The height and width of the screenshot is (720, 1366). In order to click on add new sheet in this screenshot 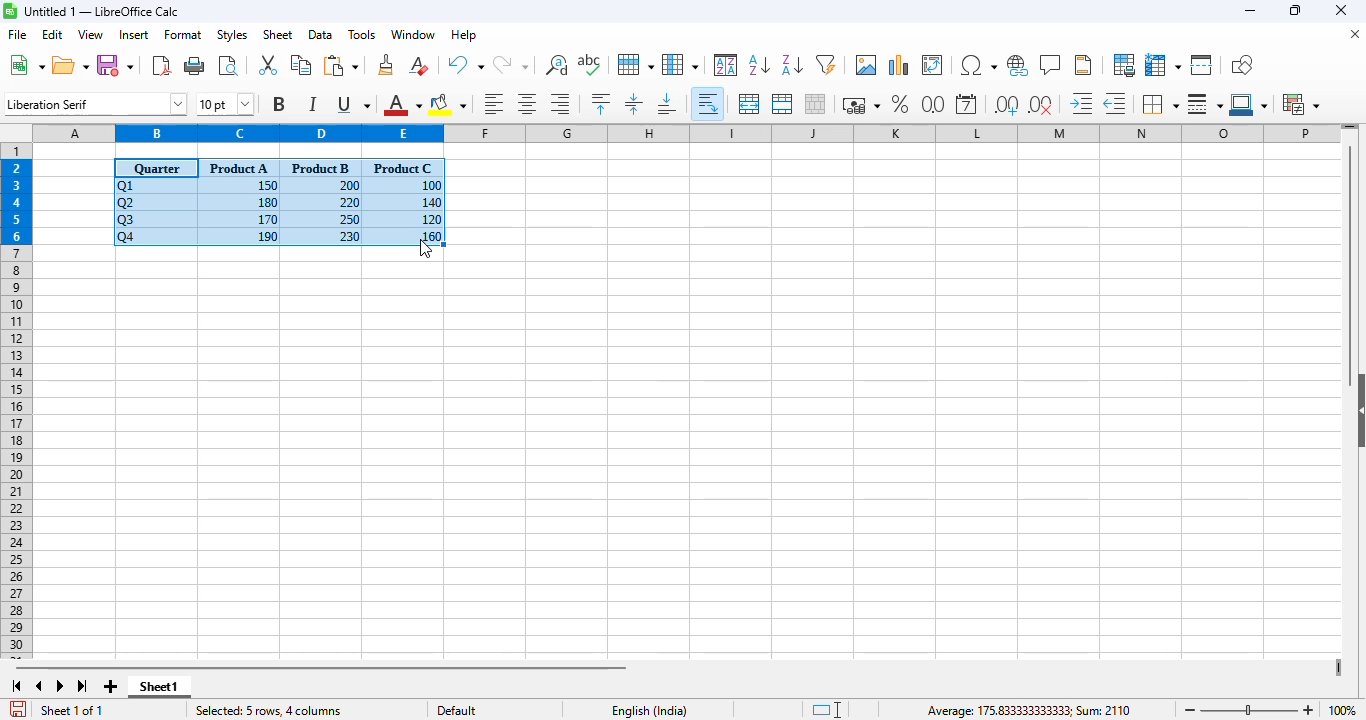, I will do `click(108, 686)`.